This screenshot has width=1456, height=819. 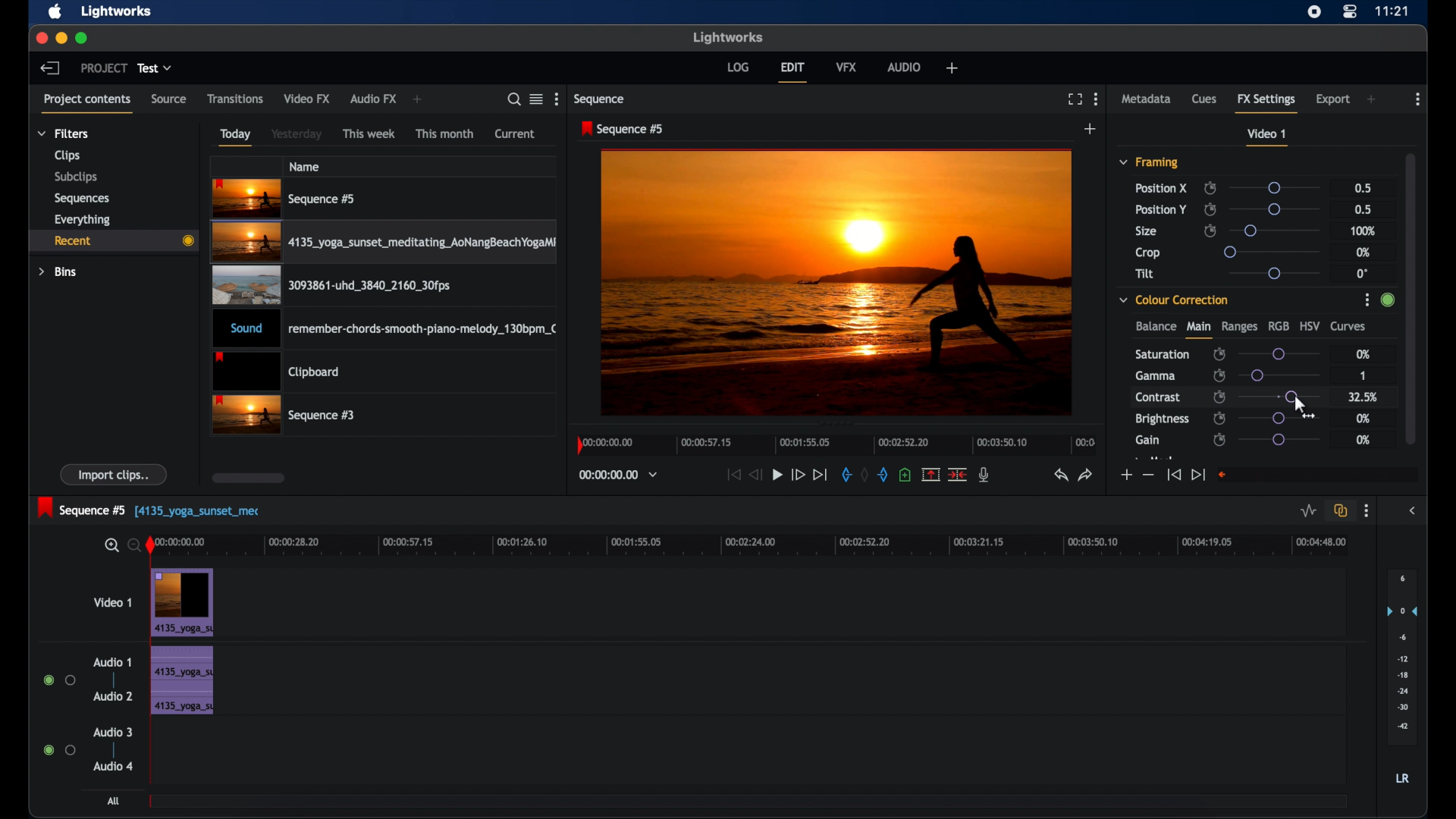 What do you see at coordinates (1415, 511) in the screenshot?
I see `sidebar` at bounding box center [1415, 511].